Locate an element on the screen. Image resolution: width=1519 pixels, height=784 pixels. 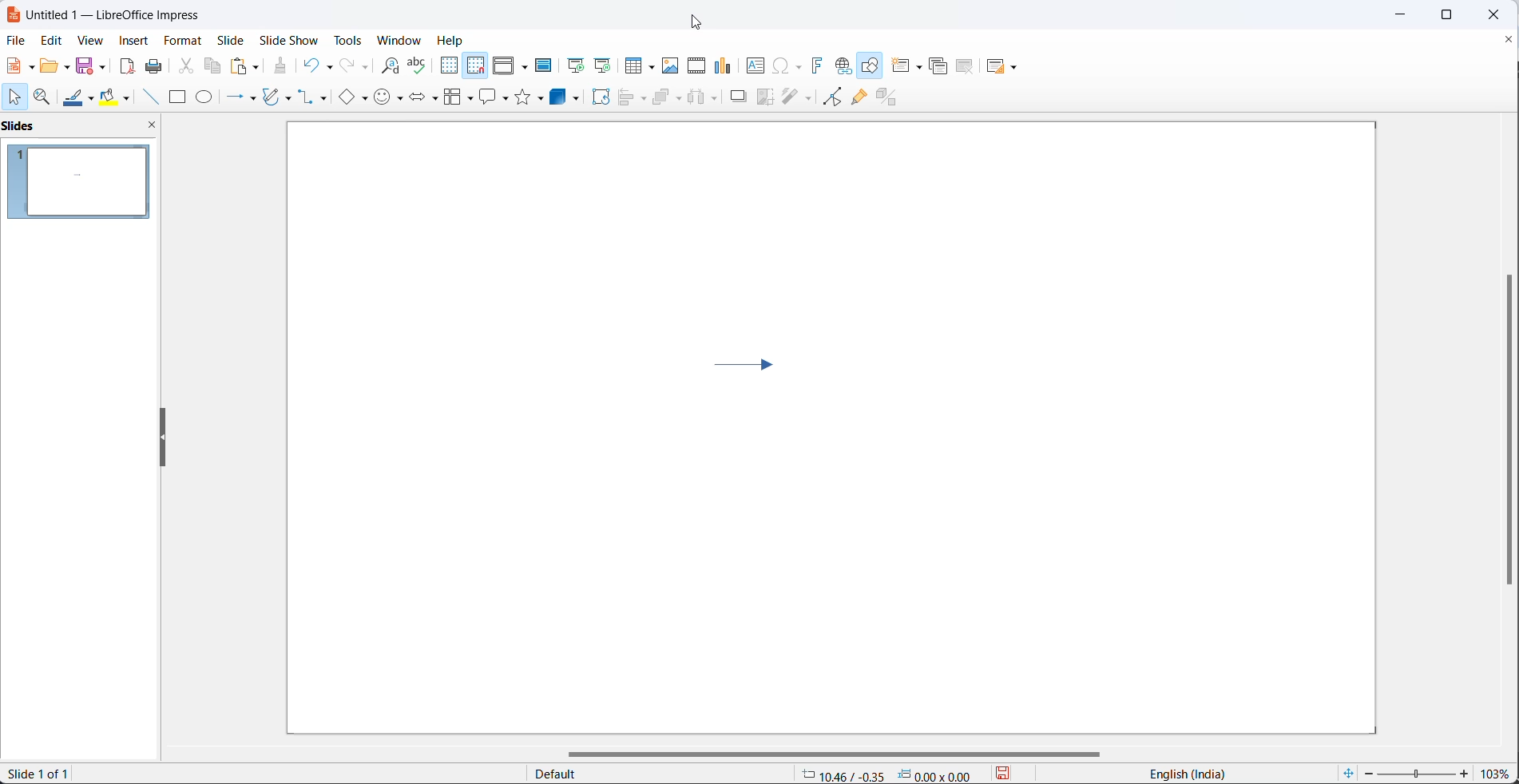
arrow pointing towards right is located at coordinates (756, 370).